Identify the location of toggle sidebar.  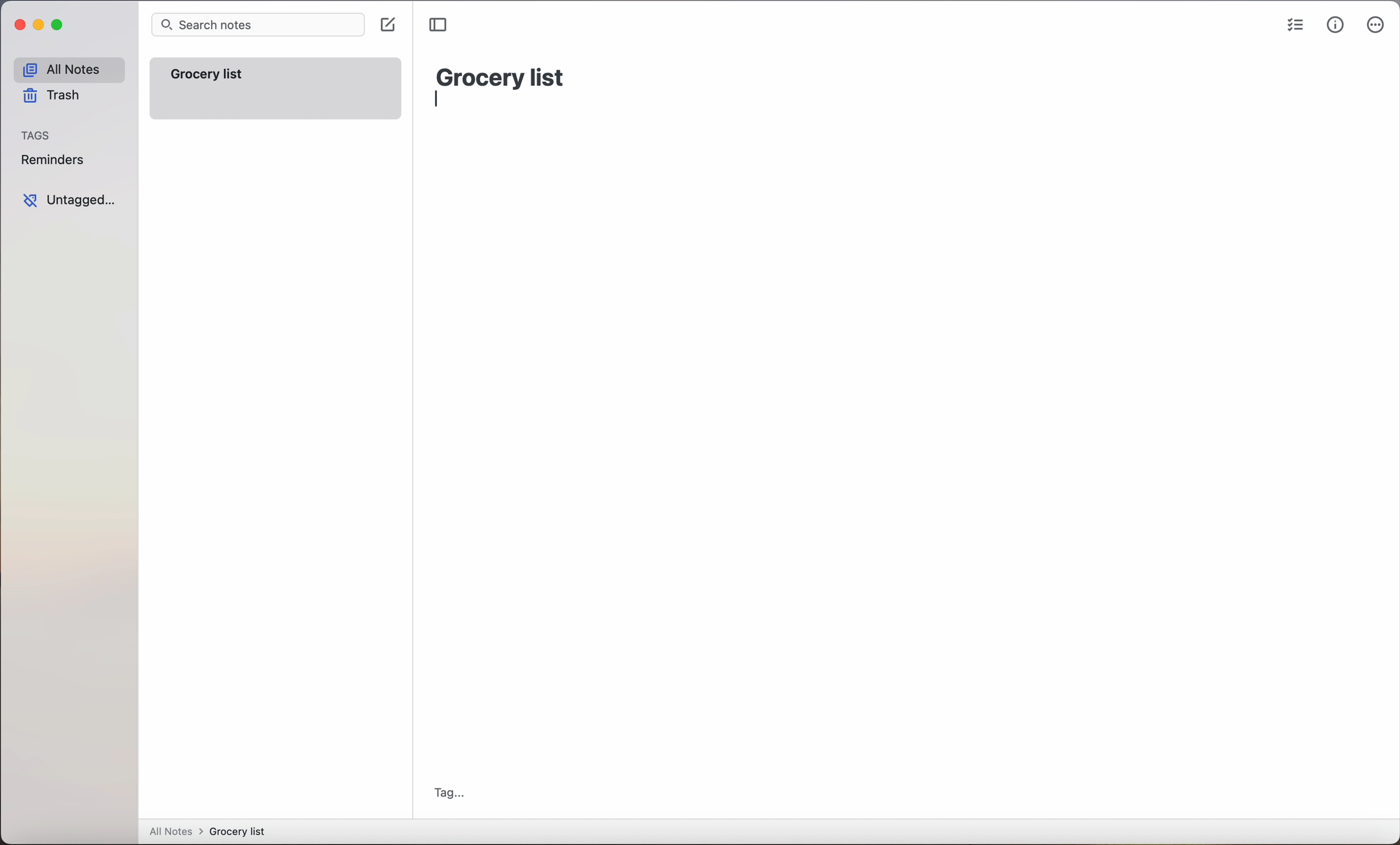
(440, 25).